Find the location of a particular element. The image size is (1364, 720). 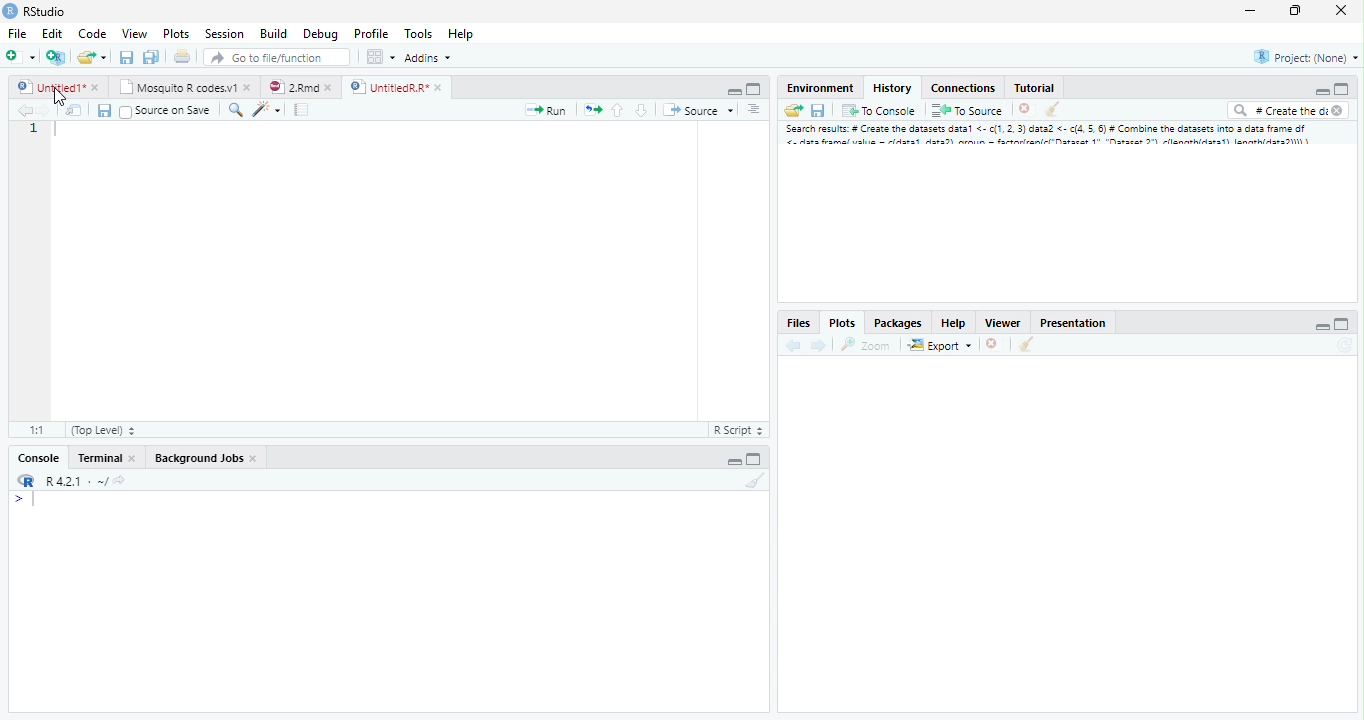

Minimize is located at coordinates (733, 461).